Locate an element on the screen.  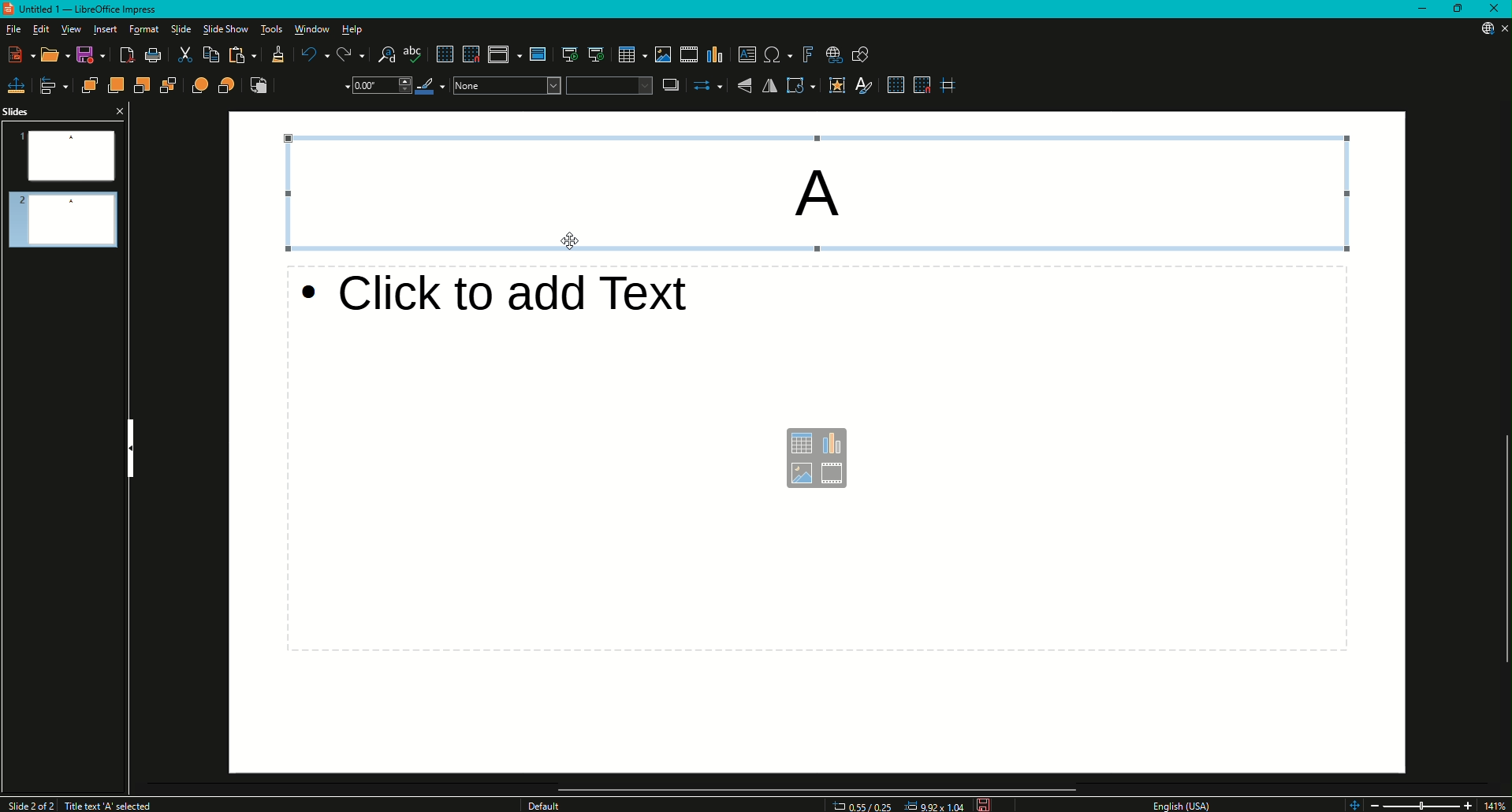
Scroll is located at coordinates (1513, 334).